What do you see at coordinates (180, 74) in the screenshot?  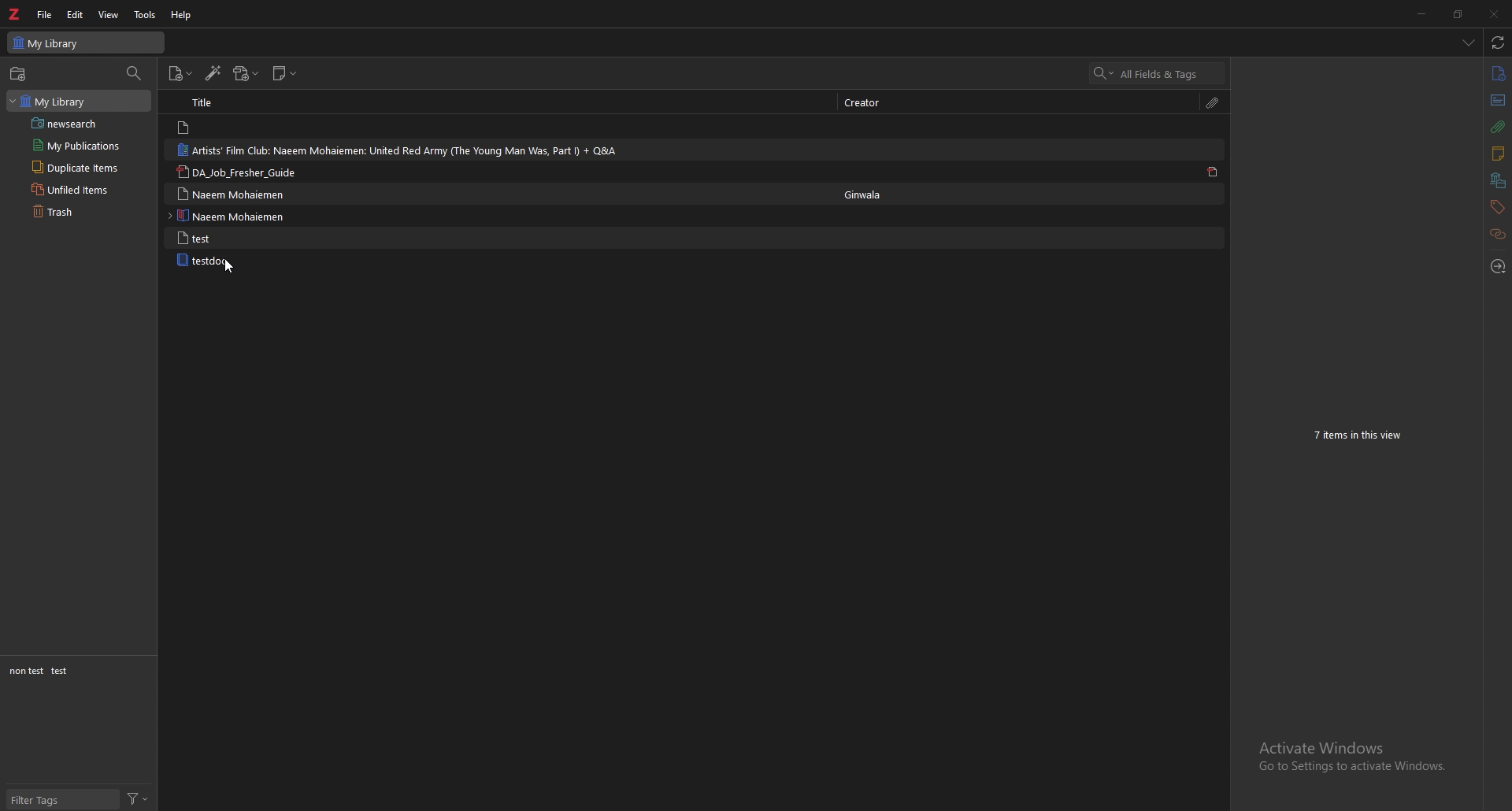 I see `new item` at bounding box center [180, 74].